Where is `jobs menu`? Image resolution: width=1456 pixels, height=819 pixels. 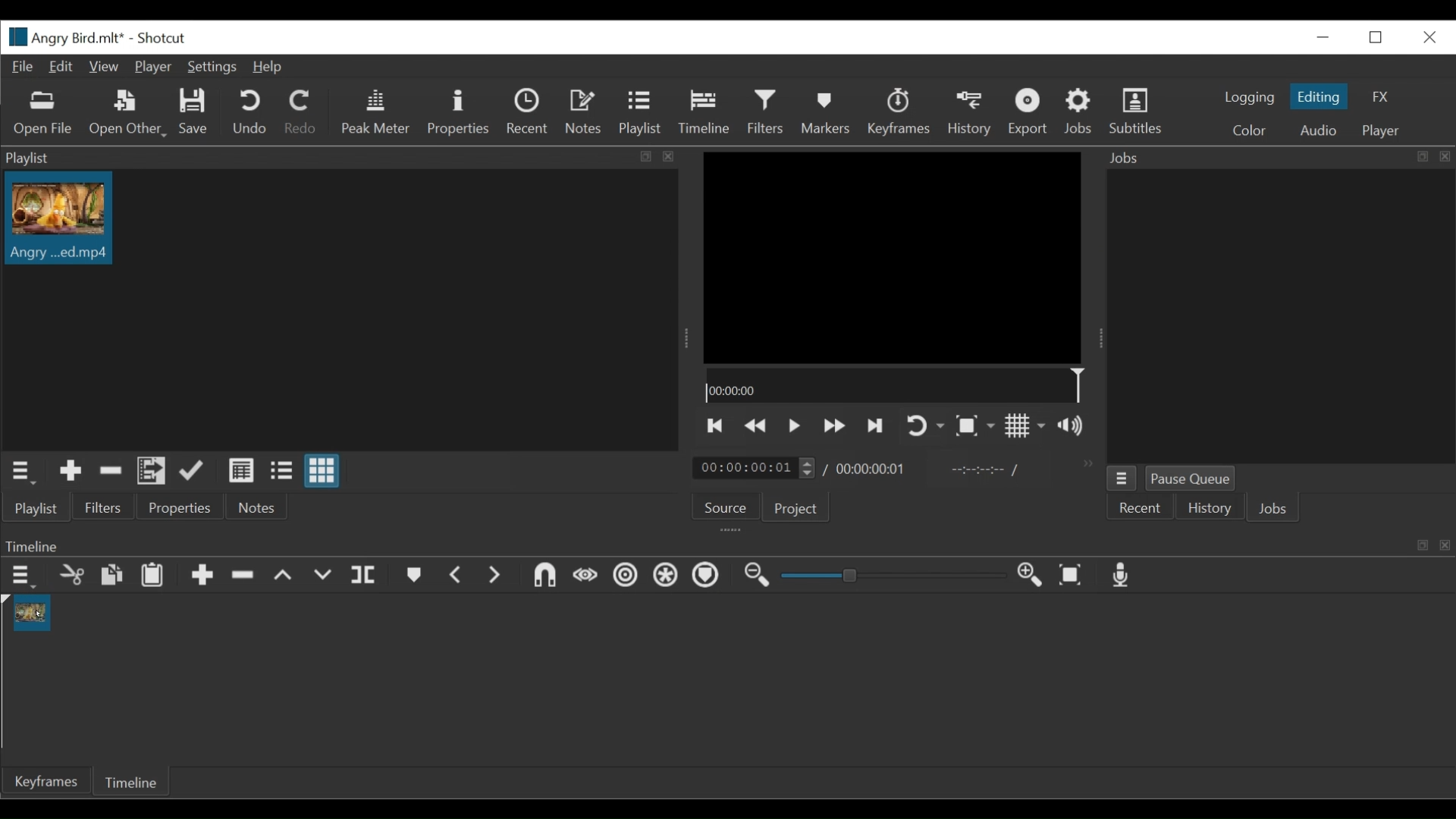
jobs menu is located at coordinates (1121, 479).